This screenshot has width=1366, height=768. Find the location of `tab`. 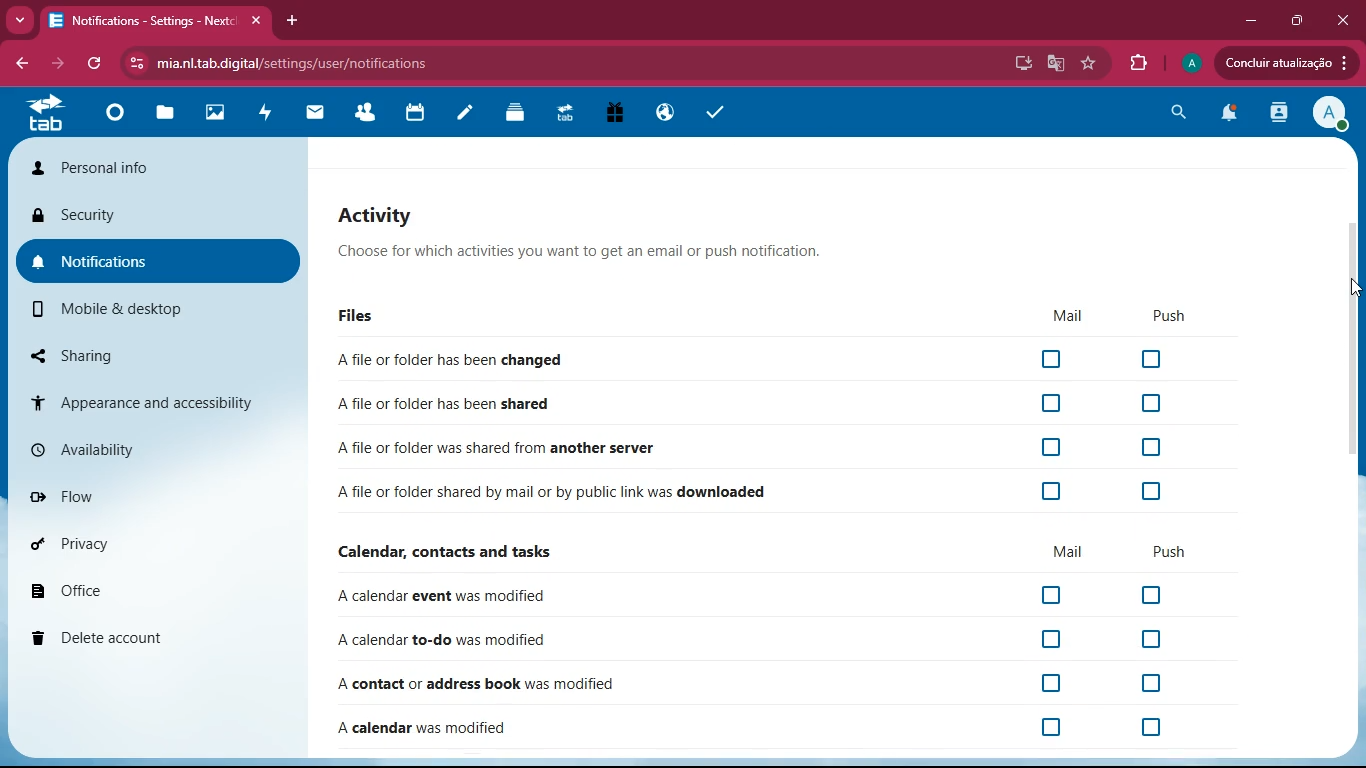

tab is located at coordinates (48, 118).